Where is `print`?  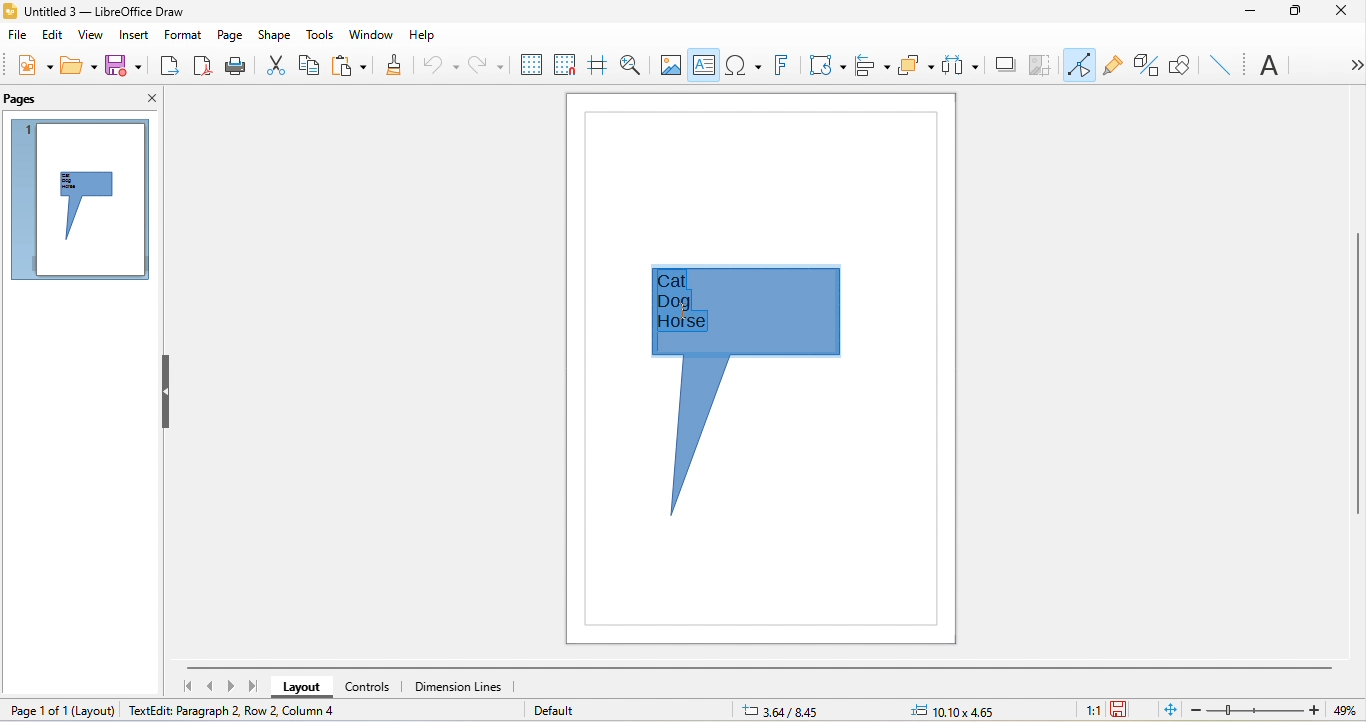 print is located at coordinates (236, 68).